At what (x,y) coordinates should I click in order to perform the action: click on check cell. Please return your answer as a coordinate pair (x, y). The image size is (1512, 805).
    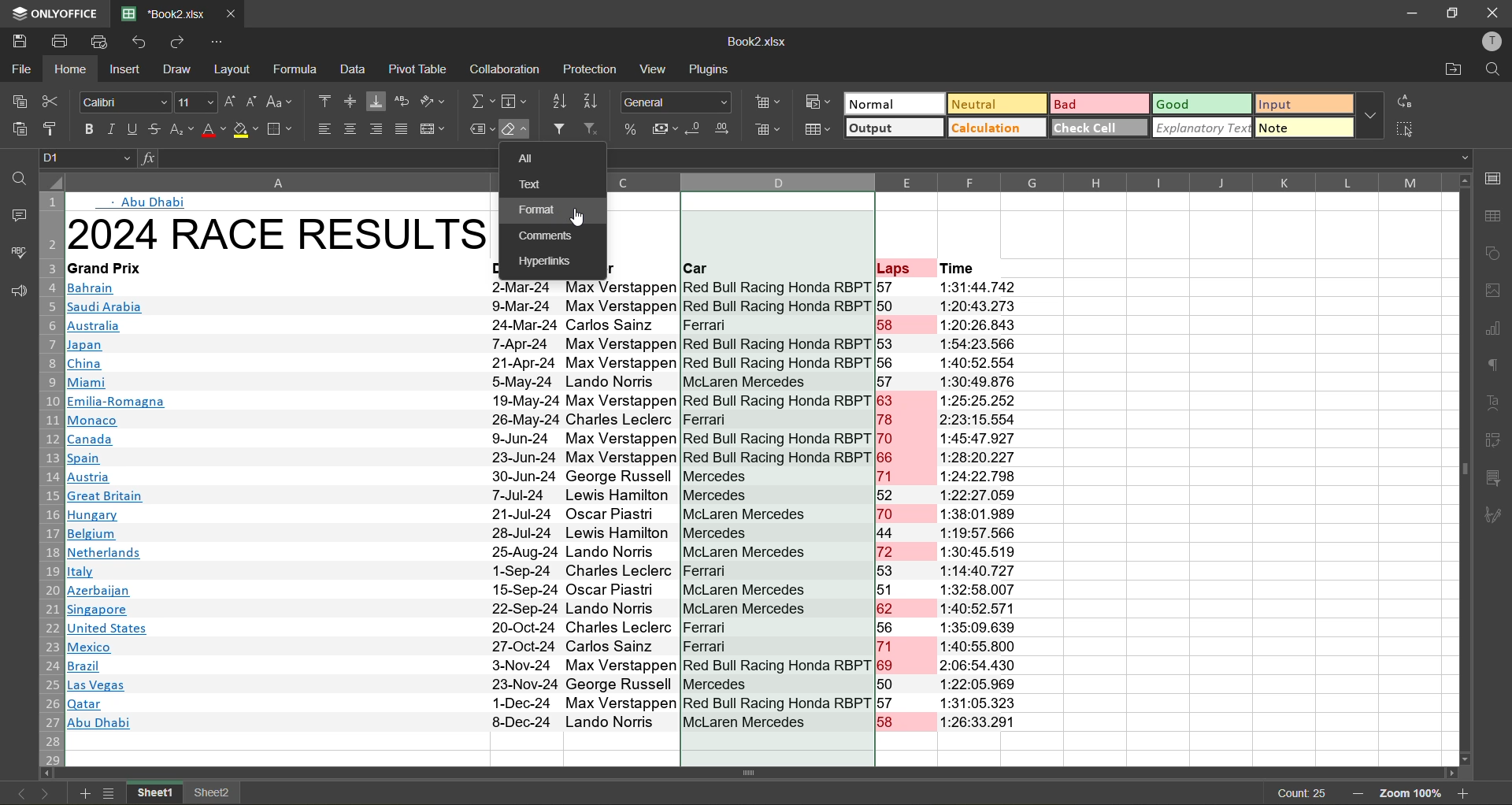
    Looking at the image, I should click on (1099, 129).